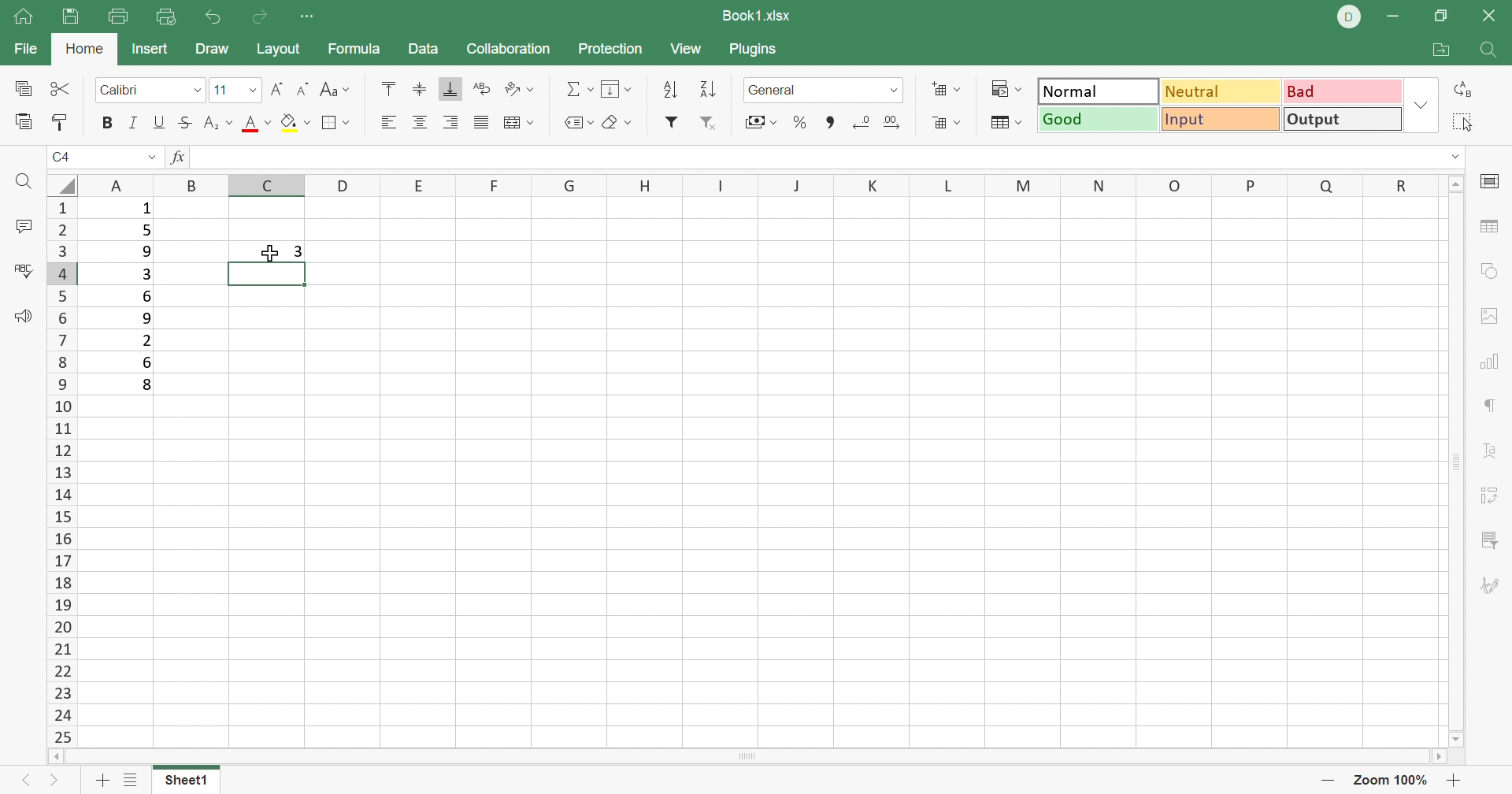 The height and width of the screenshot is (794, 1512). Describe the element at coordinates (891, 122) in the screenshot. I see `Increase decimal` at that location.